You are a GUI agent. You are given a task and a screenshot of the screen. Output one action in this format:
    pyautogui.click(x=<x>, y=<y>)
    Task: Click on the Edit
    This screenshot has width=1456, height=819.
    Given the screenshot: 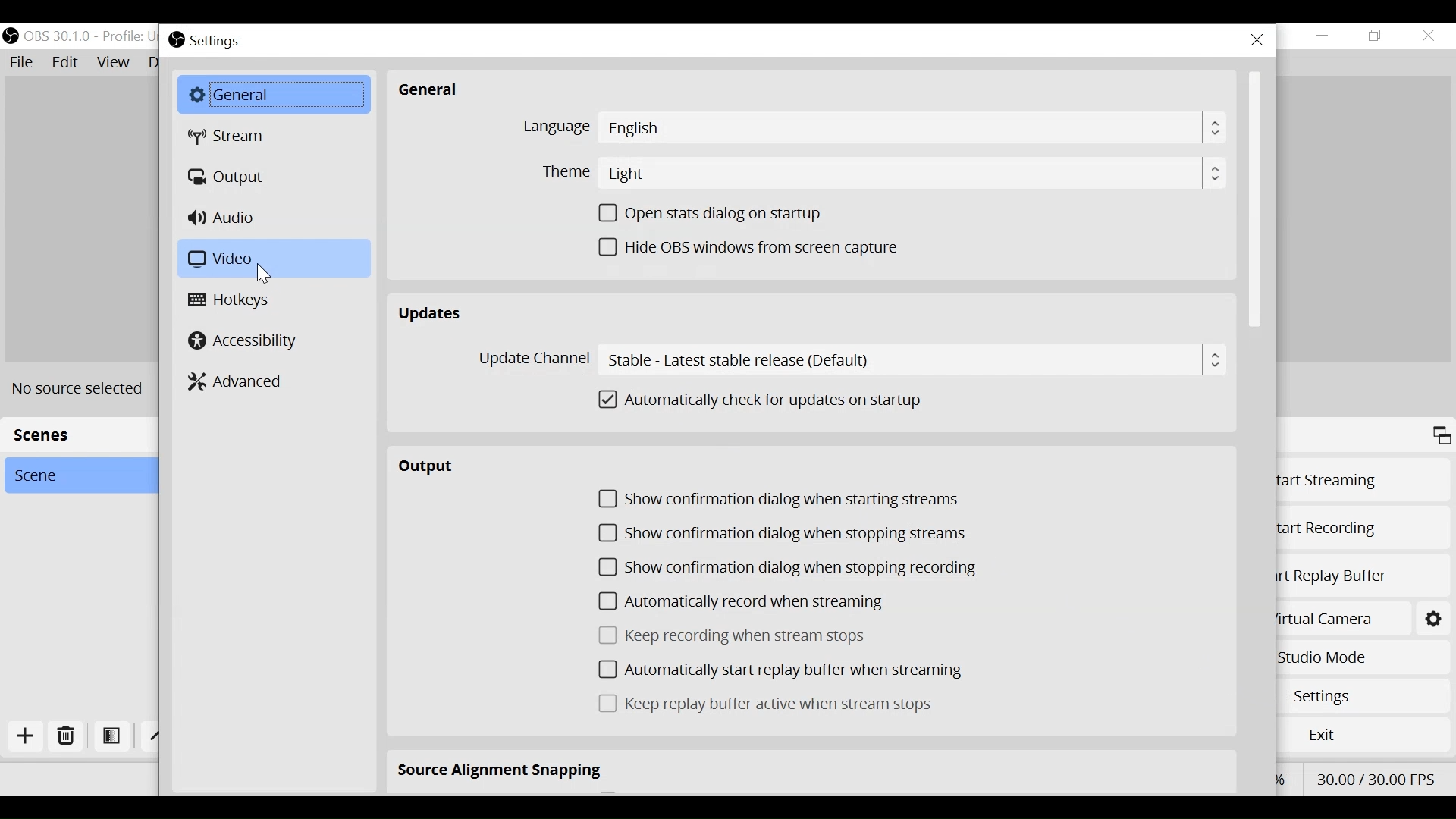 What is the action you would take?
    pyautogui.click(x=66, y=63)
    